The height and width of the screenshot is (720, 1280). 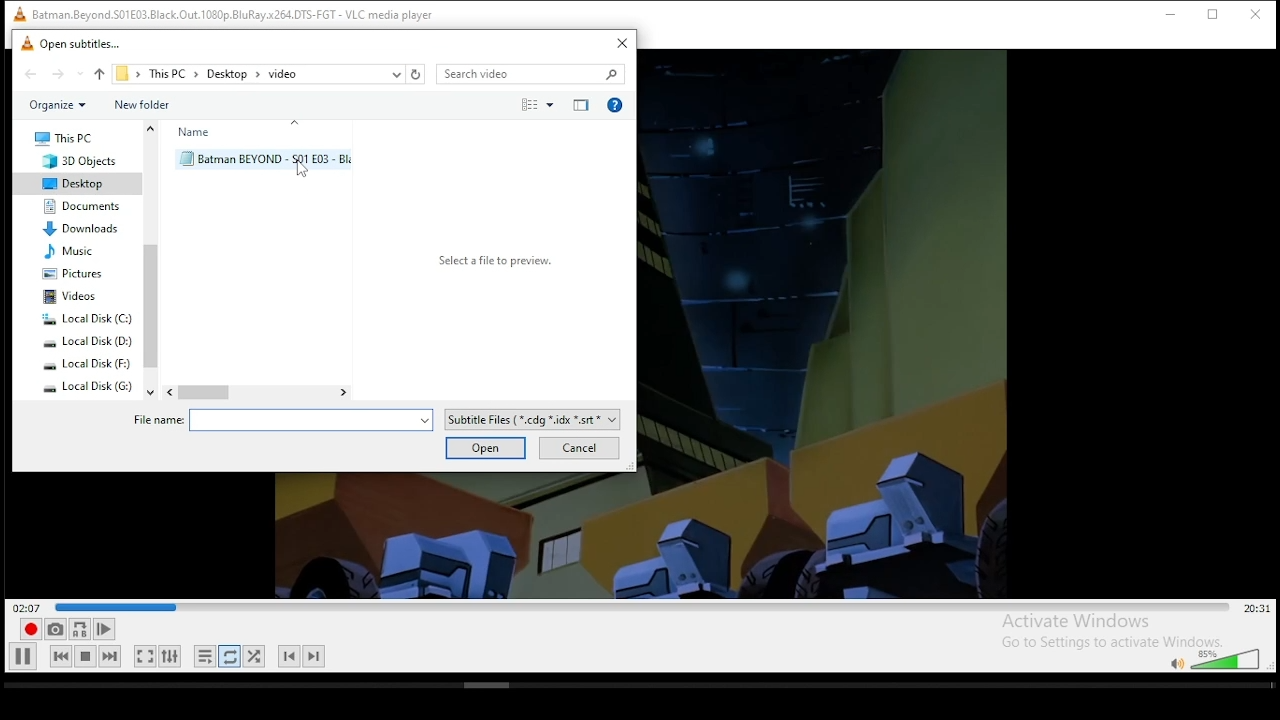 What do you see at coordinates (579, 449) in the screenshot?
I see `cancel` at bounding box center [579, 449].